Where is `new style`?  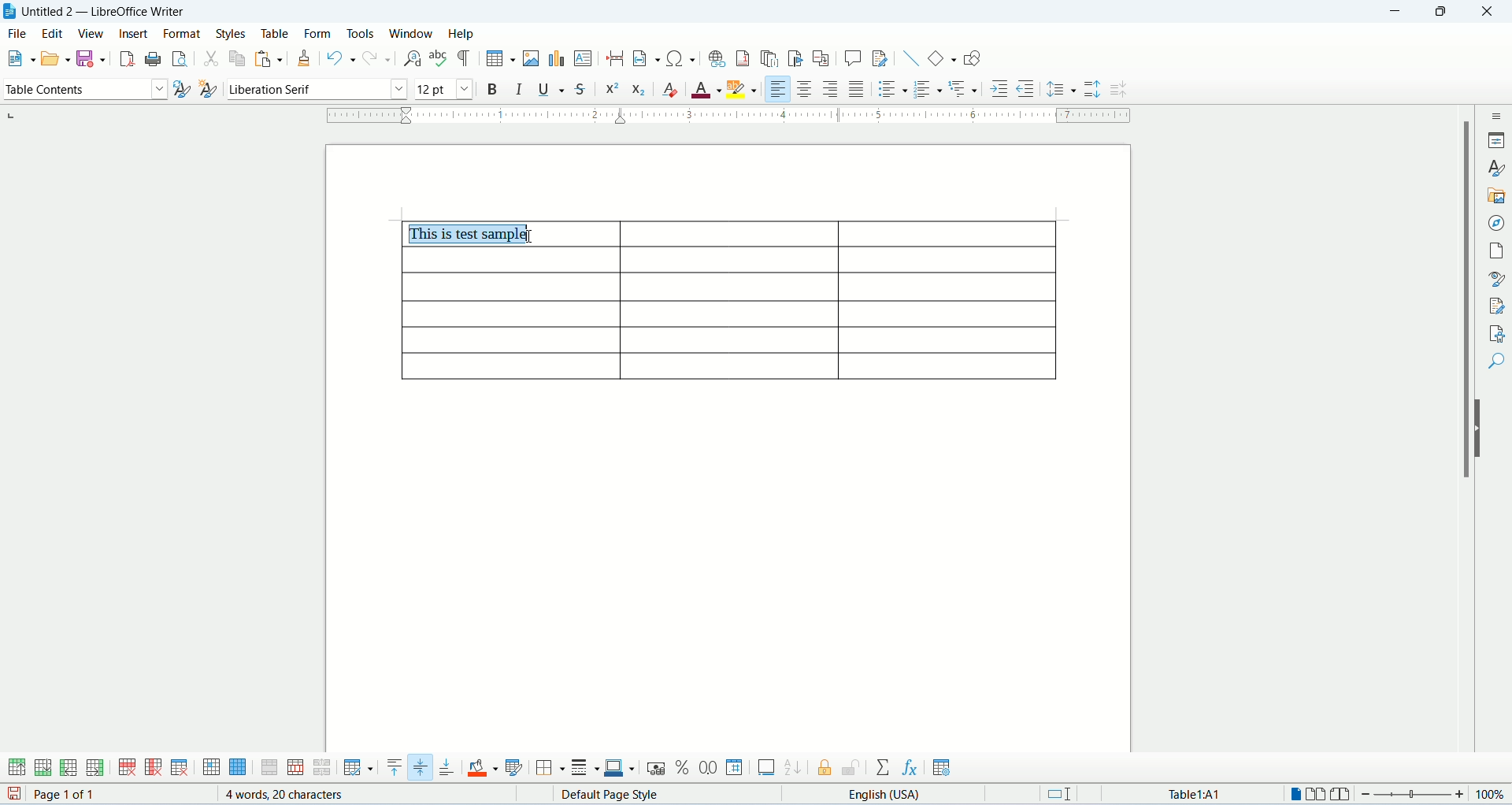 new style is located at coordinates (209, 89).